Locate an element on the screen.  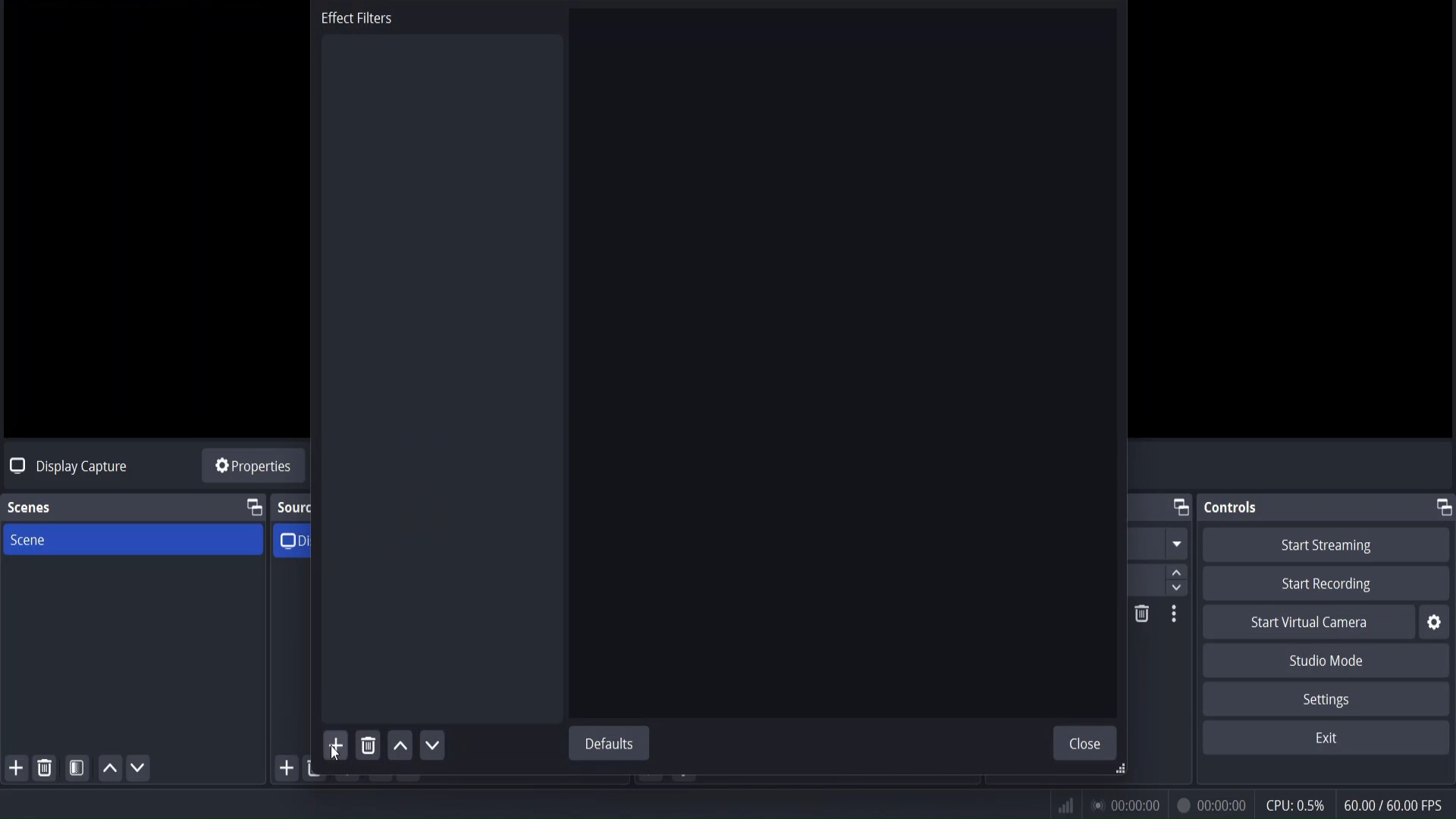
scene is located at coordinates (28, 541).